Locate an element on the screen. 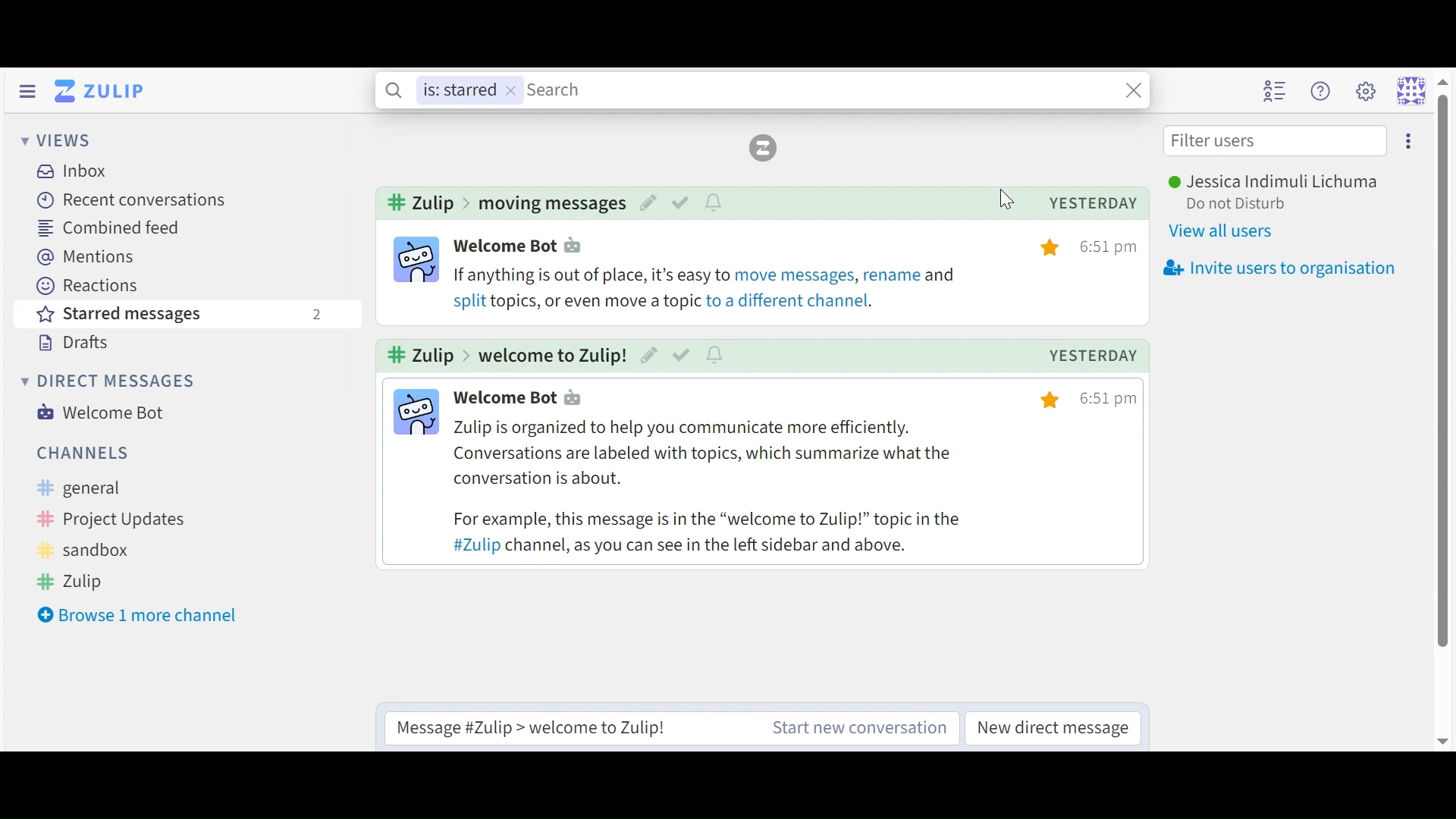  Cursor is located at coordinates (1006, 200).